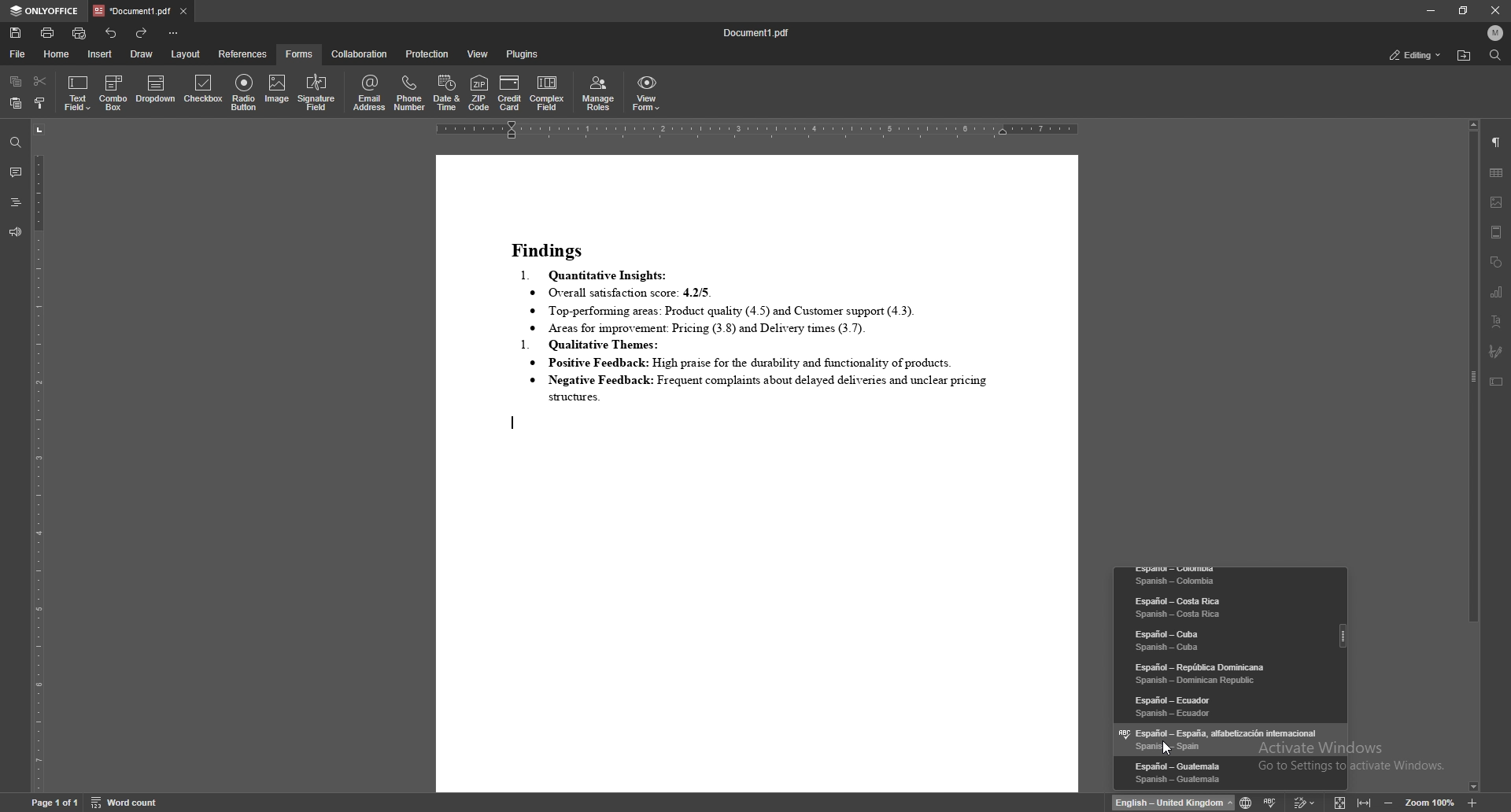  I want to click on signature field, so click(316, 94).